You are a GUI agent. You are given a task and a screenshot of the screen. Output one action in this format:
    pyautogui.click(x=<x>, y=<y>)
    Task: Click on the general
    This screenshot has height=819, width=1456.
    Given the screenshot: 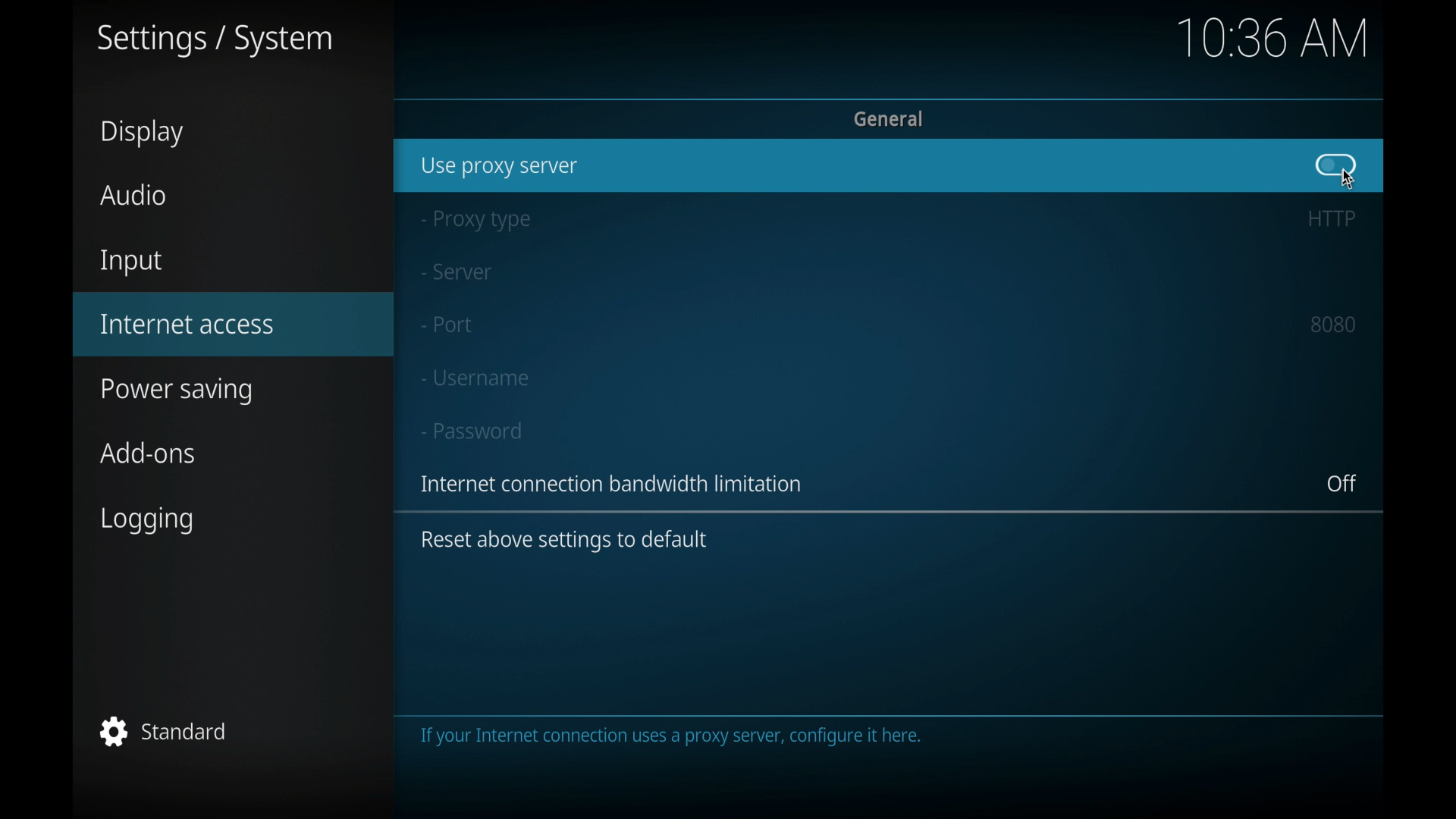 What is the action you would take?
    pyautogui.click(x=890, y=118)
    